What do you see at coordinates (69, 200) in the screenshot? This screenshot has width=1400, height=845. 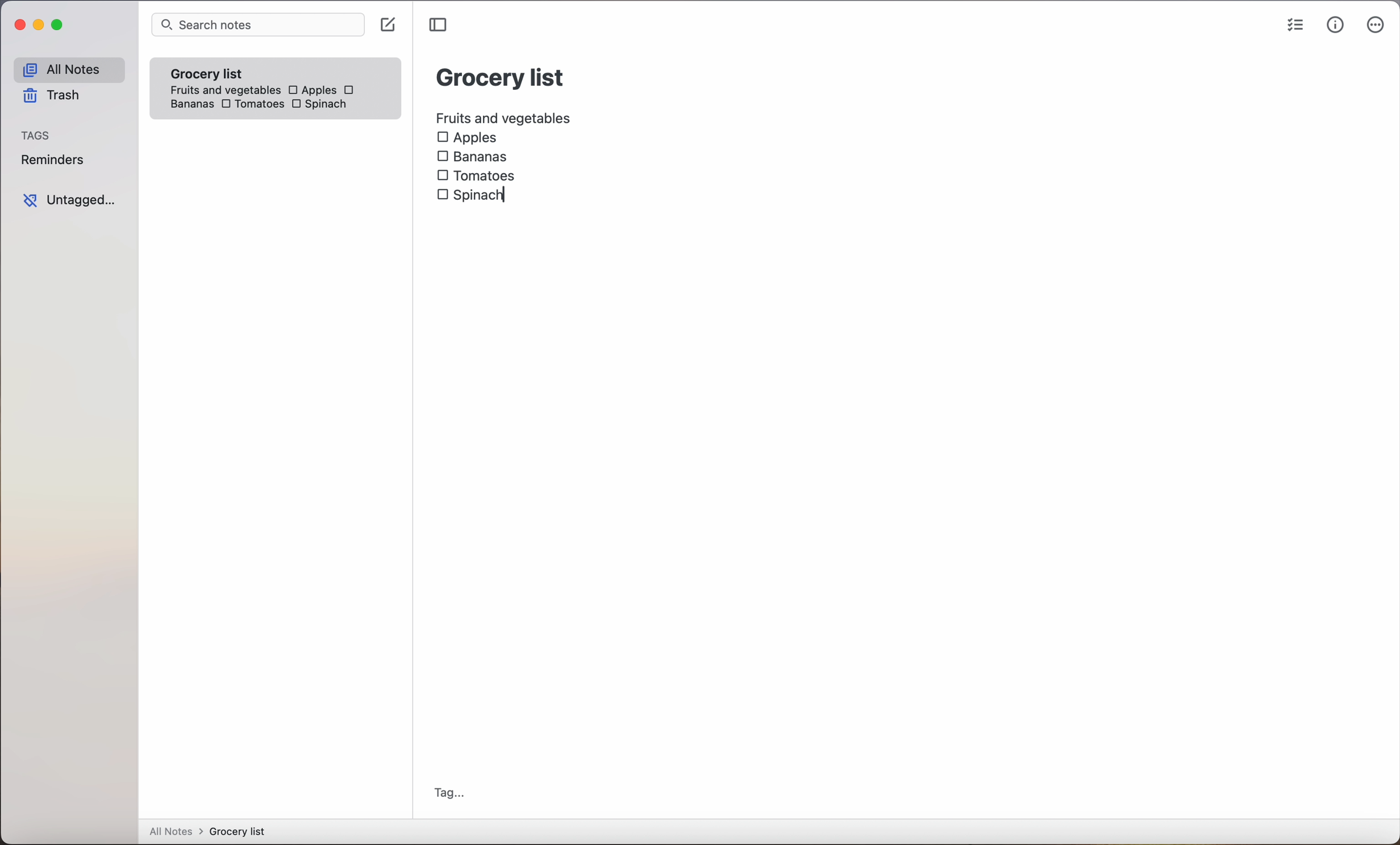 I see `untagged` at bounding box center [69, 200].